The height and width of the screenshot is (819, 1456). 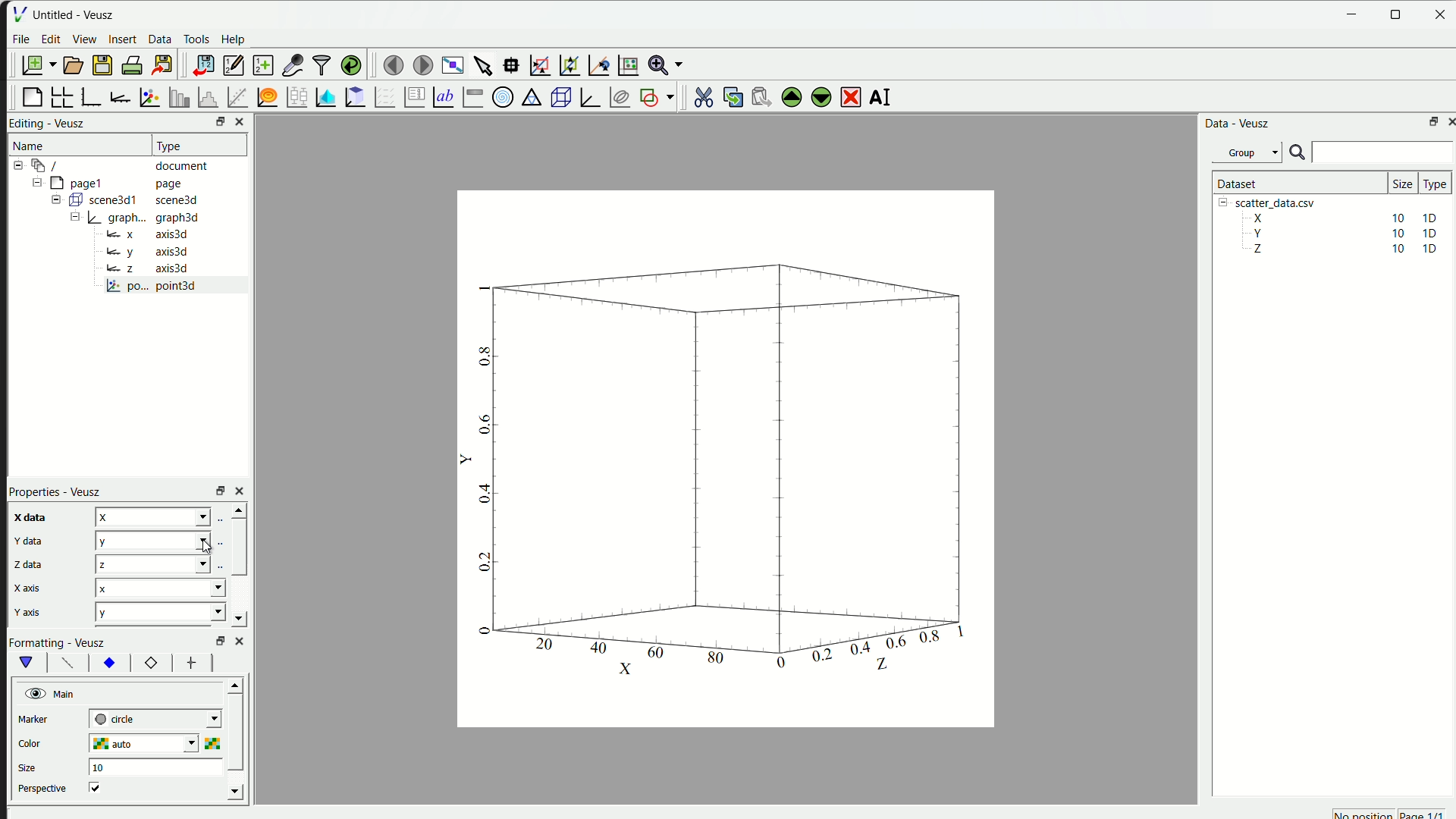 I want to click on | next-tick, so click(x=162, y=720).